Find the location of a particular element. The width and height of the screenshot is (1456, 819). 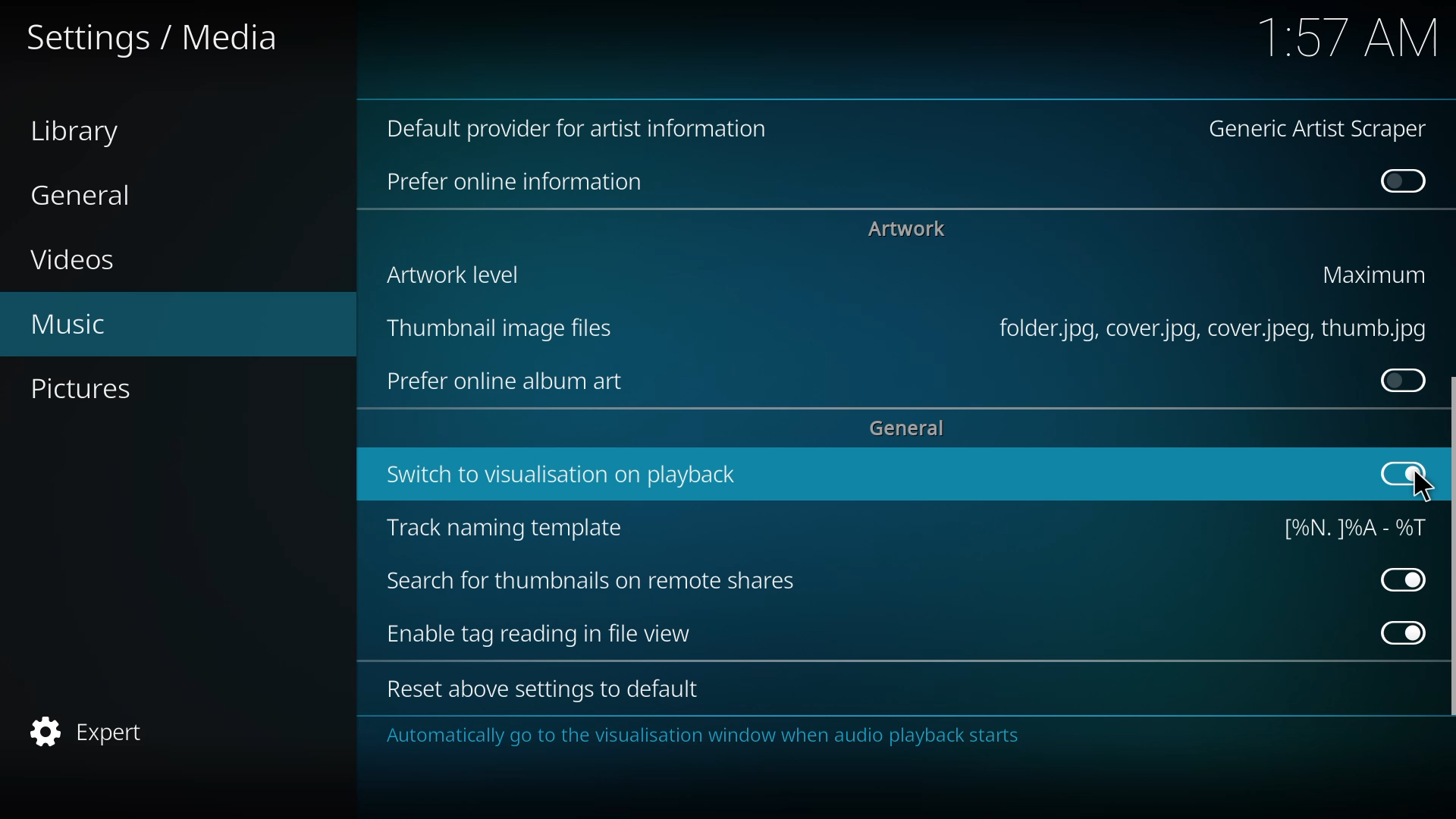

file type is located at coordinates (1206, 329).